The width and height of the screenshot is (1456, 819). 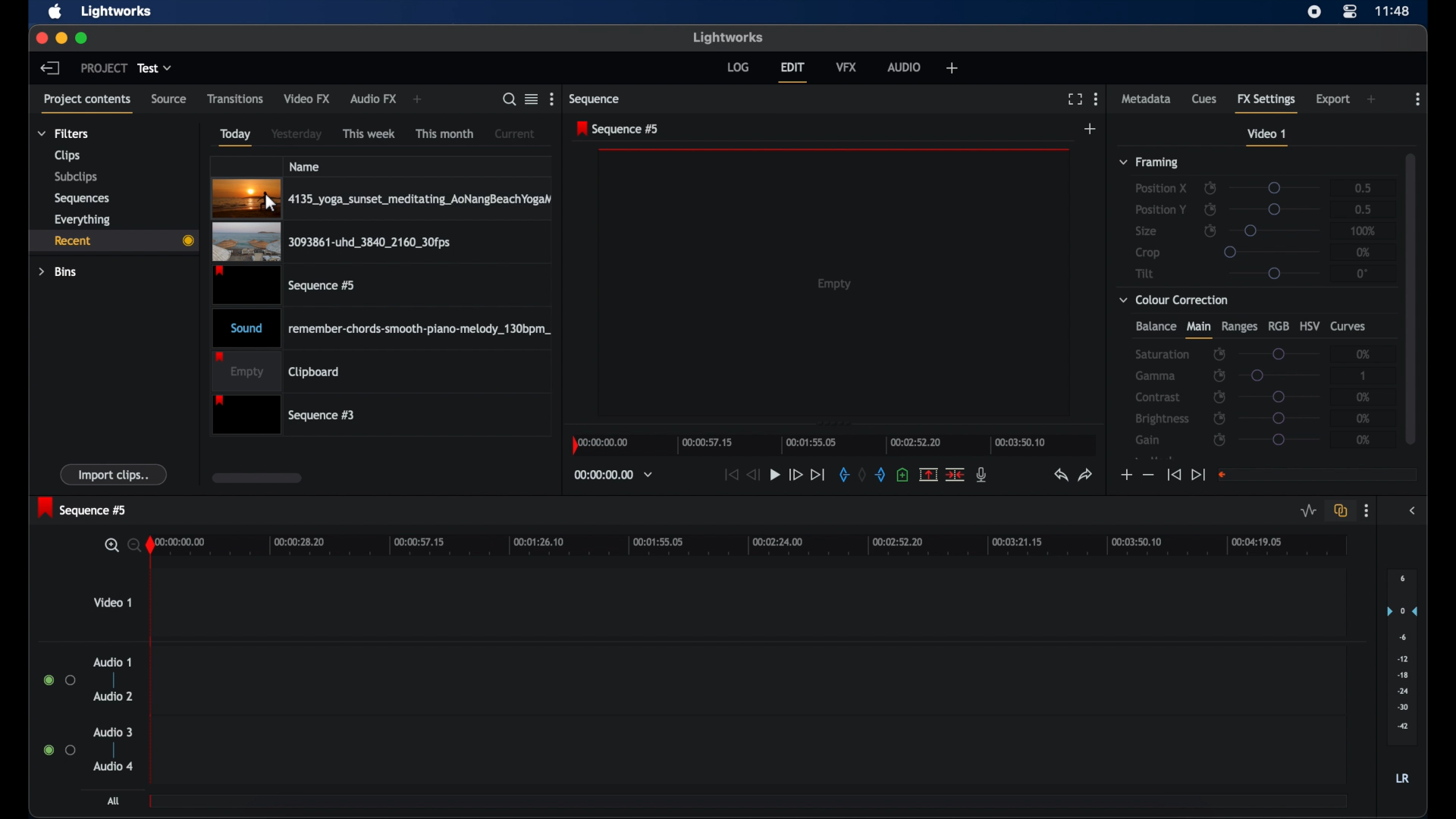 I want to click on enable/disable keyframes, so click(x=1210, y=231).